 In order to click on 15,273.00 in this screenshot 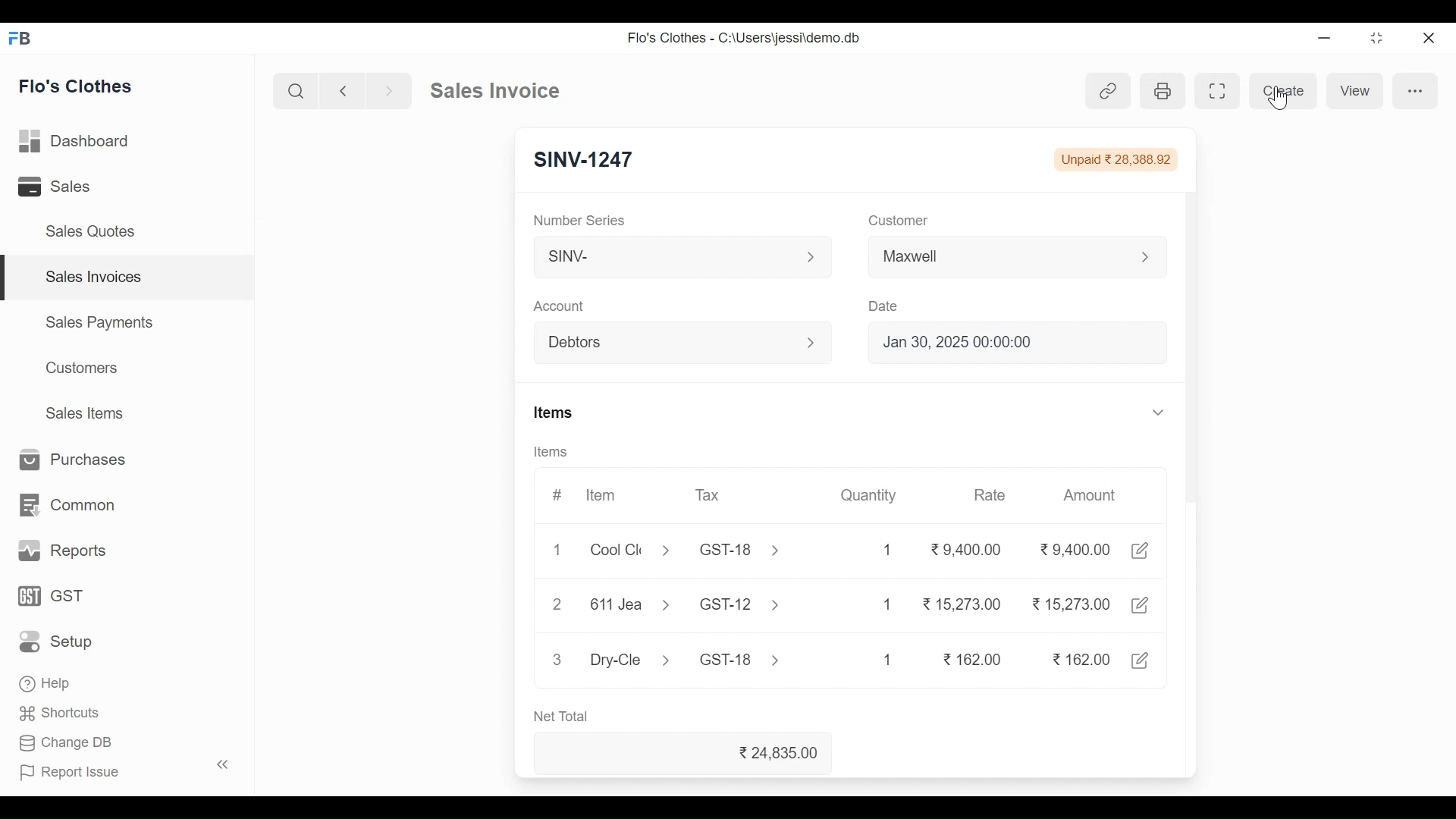, I will do `click(1071, 603)`.